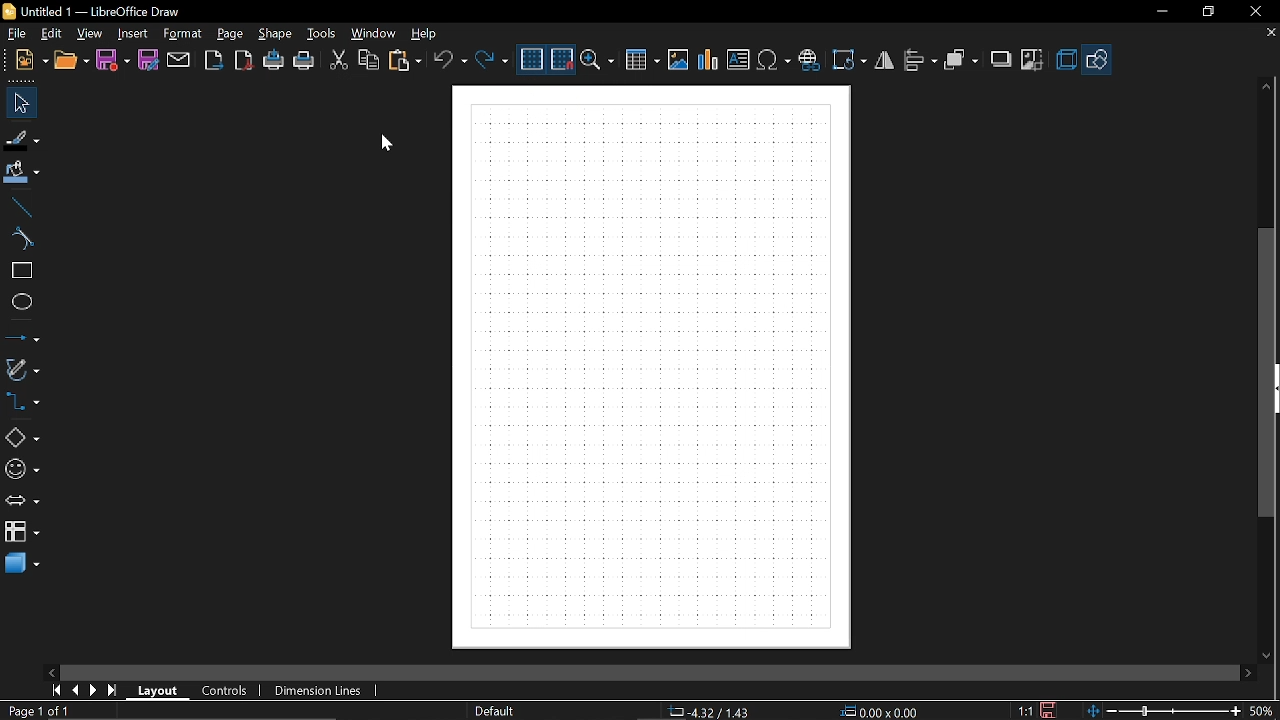 The image size is (1280, 720). What do you see at coordinates (493, 60) in the screenshot?
I see `redo` at bounding box center [493, 60].